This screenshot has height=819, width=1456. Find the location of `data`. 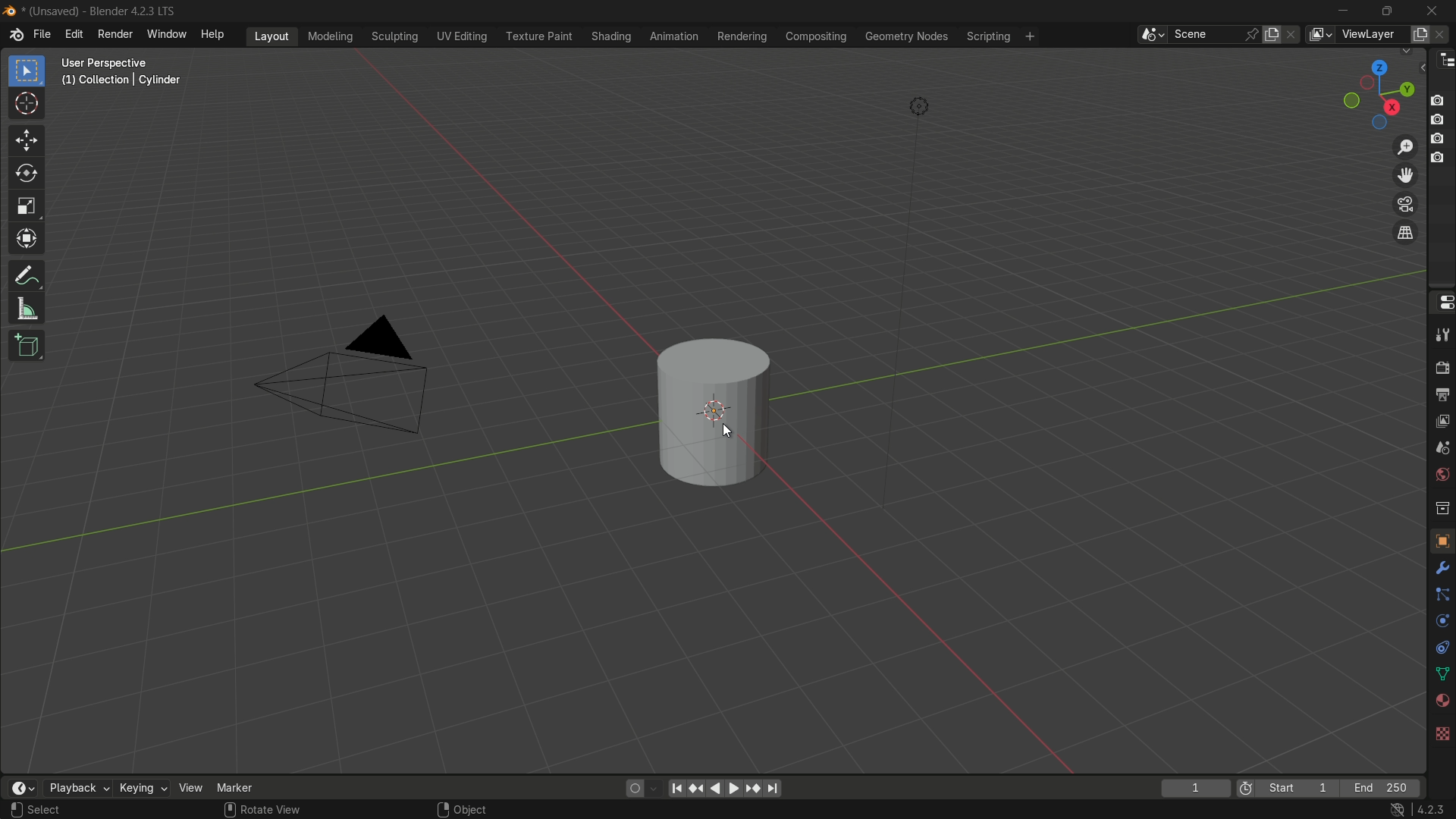

data is located at coordinates (1441, 676).